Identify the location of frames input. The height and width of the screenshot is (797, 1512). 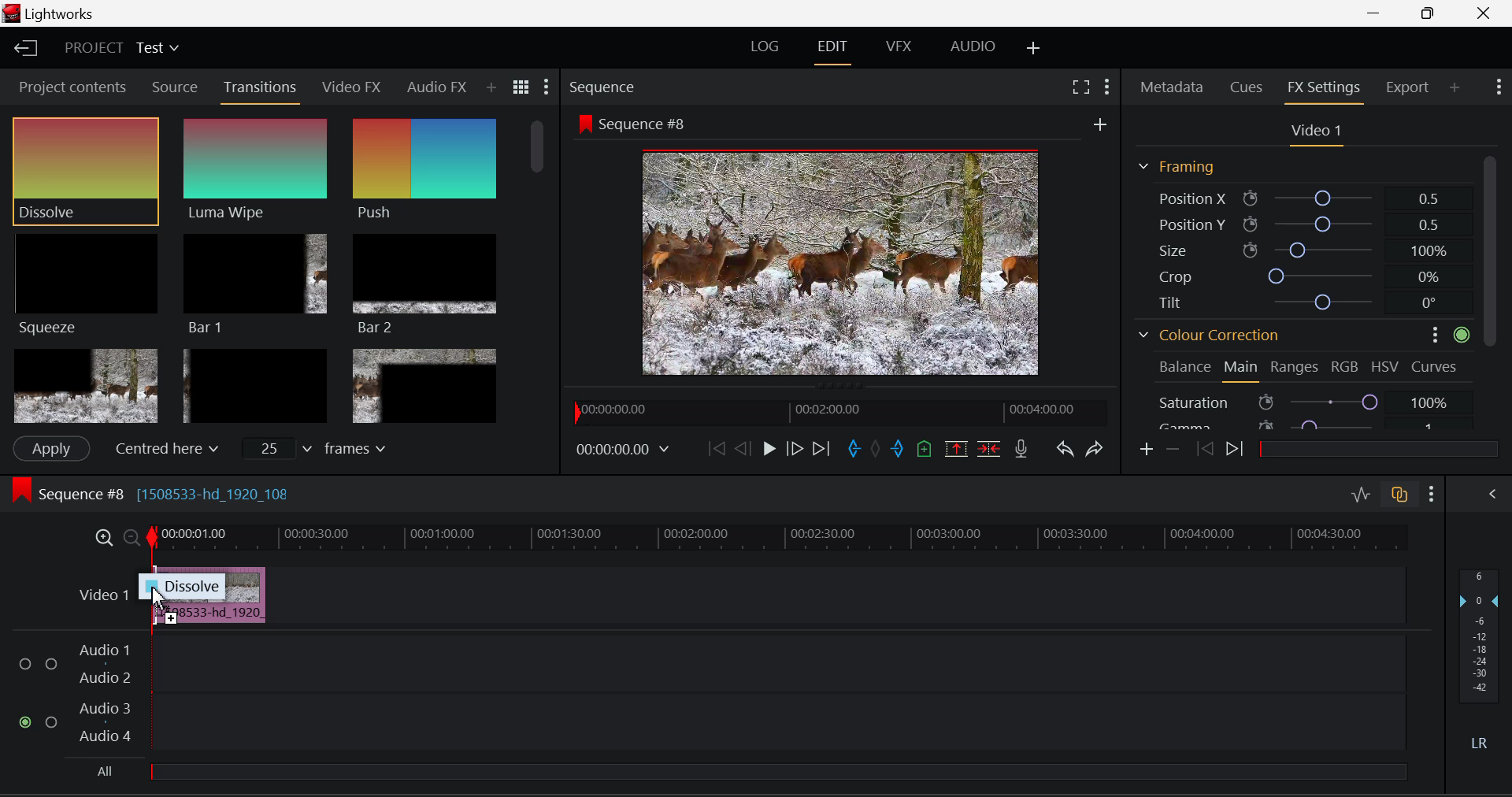
(313, 447).